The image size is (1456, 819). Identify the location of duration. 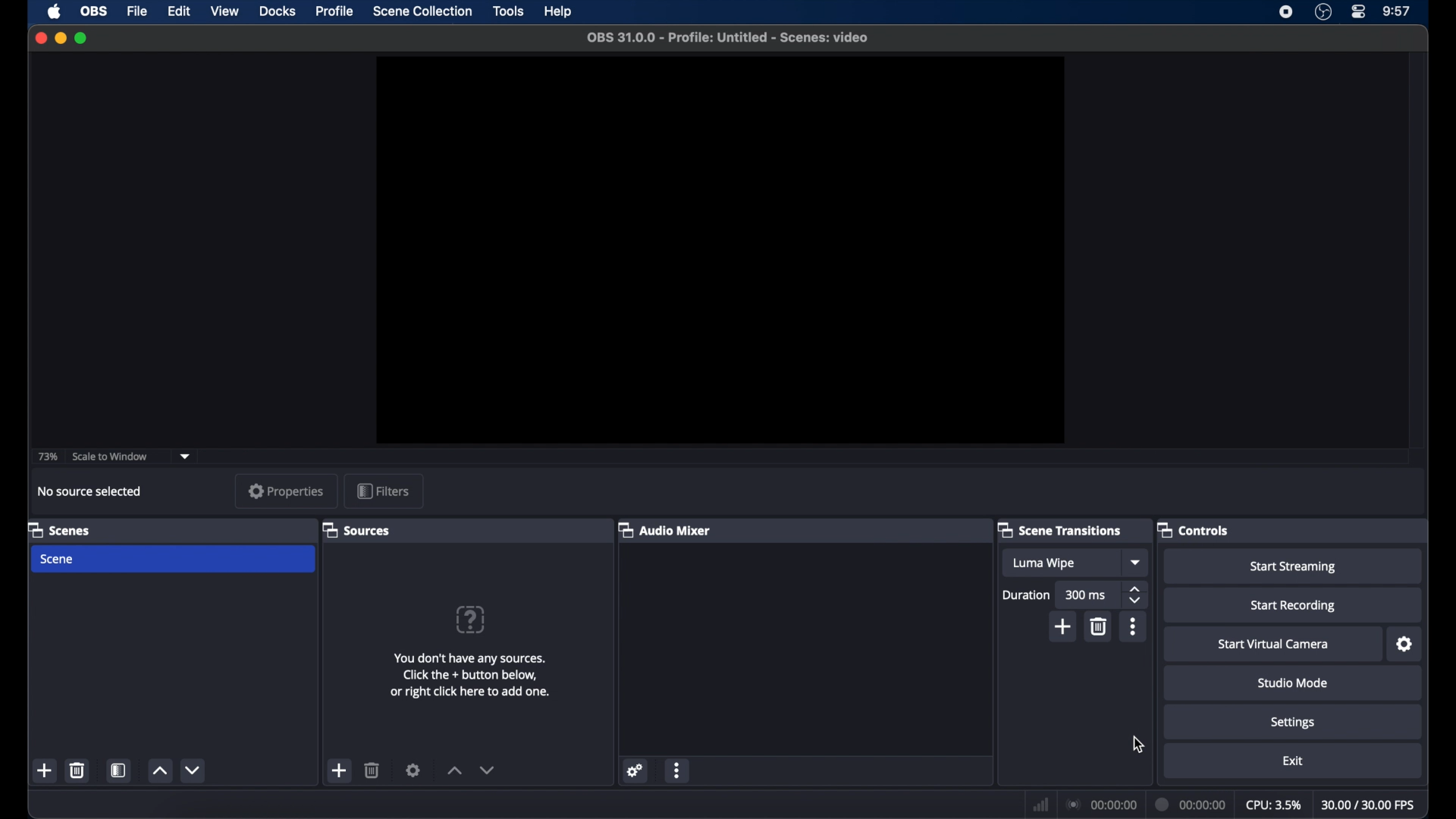
(1027, 595).